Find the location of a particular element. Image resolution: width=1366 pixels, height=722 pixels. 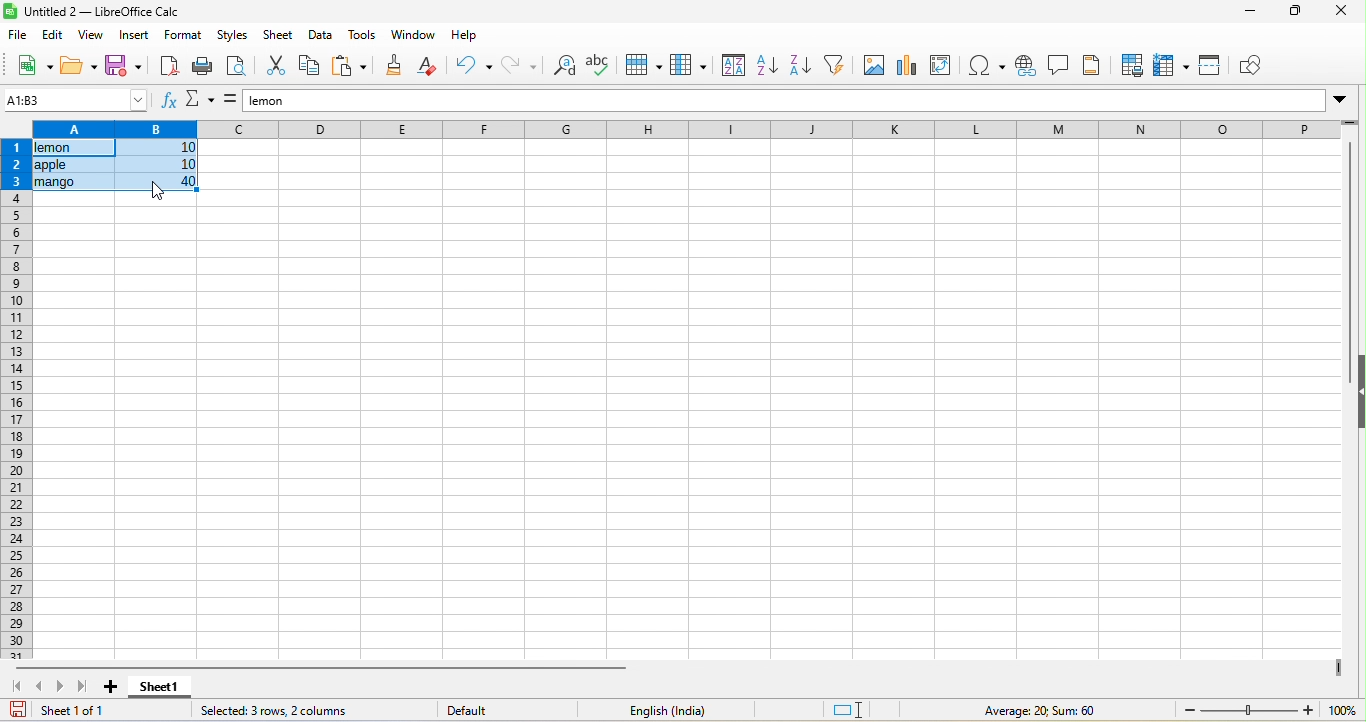

redo is located at coordinates (519, 67).